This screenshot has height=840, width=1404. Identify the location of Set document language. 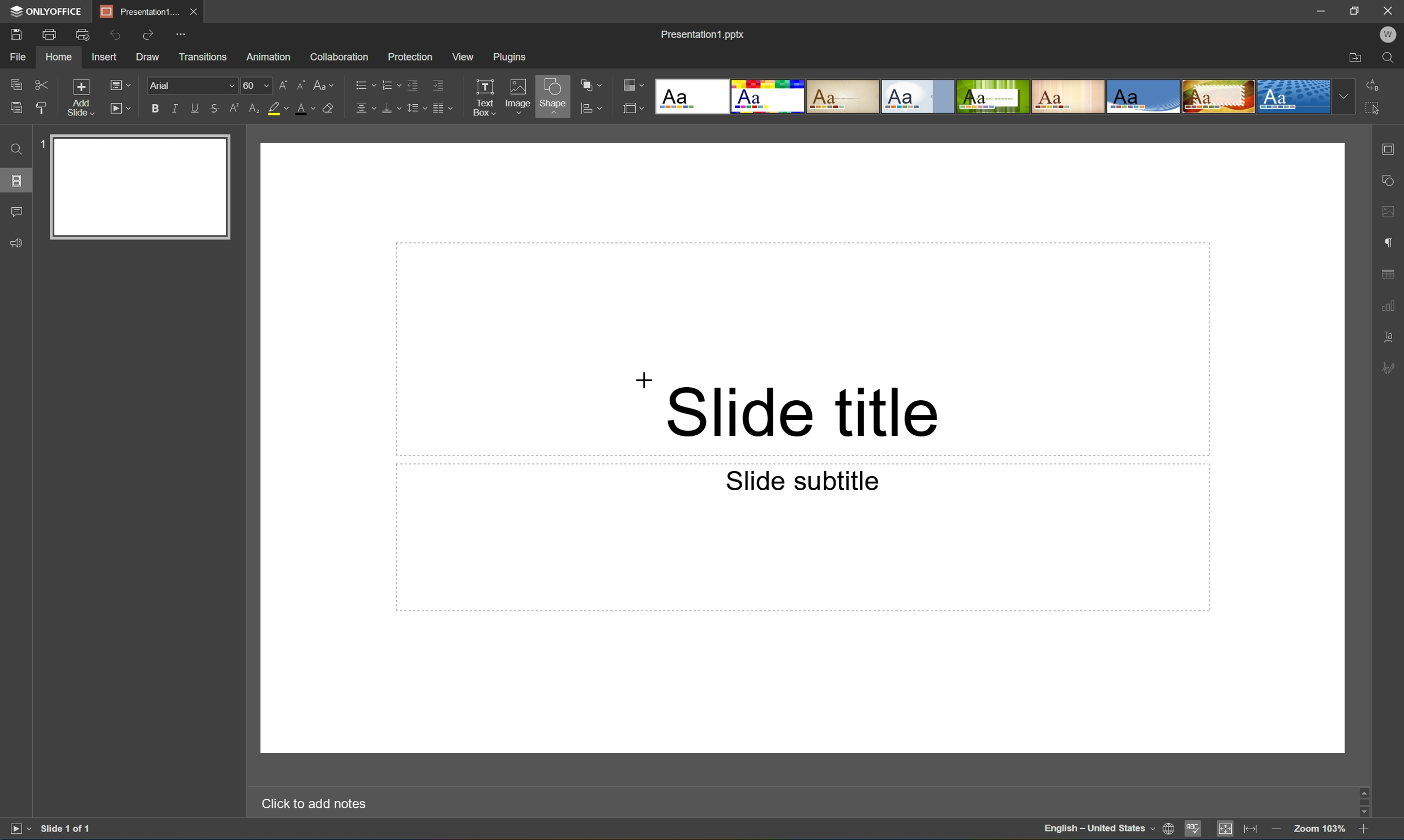
(1168, 830).